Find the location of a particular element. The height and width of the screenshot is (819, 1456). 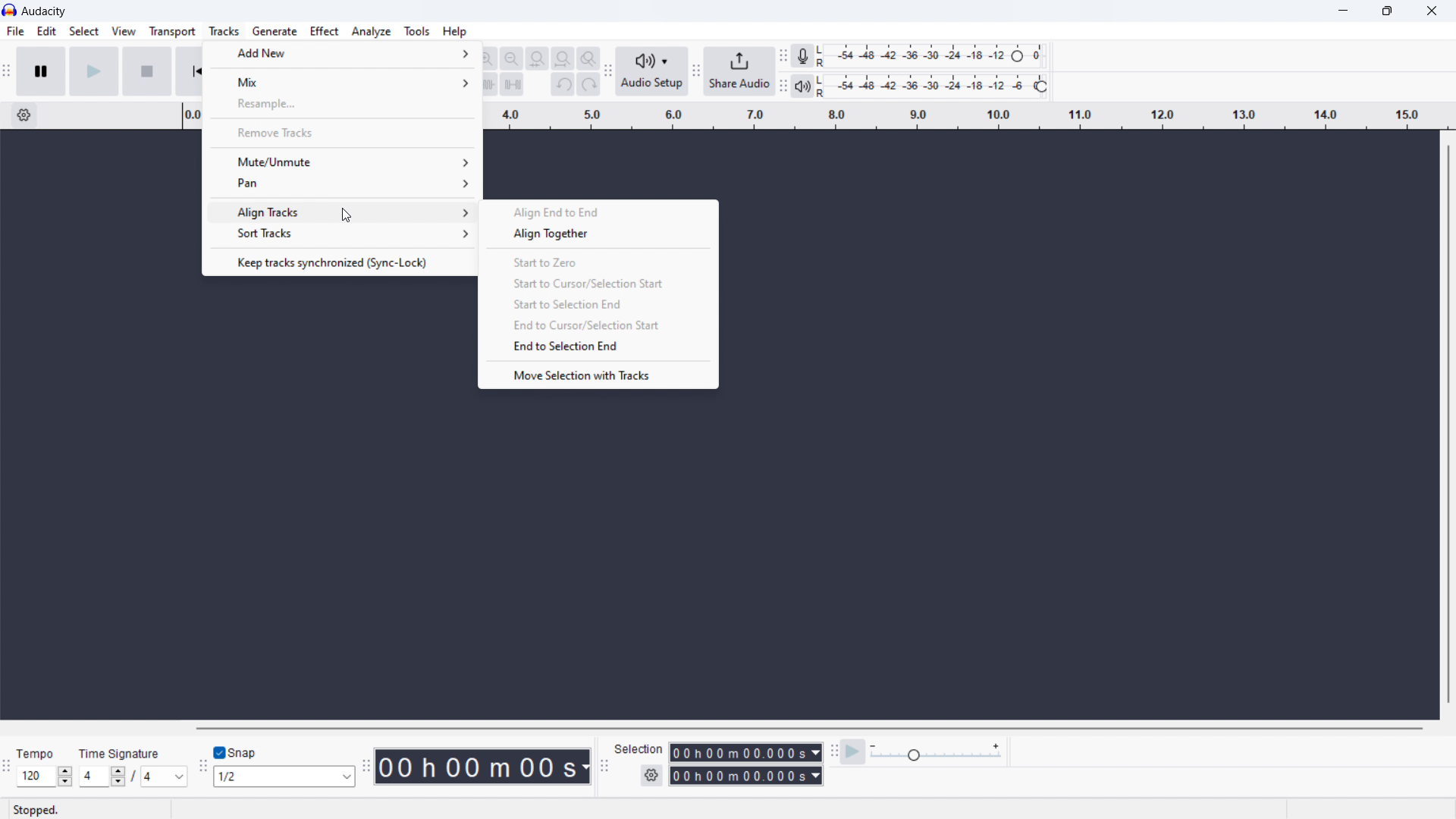

zoom out is located at coordinates (510, 58).